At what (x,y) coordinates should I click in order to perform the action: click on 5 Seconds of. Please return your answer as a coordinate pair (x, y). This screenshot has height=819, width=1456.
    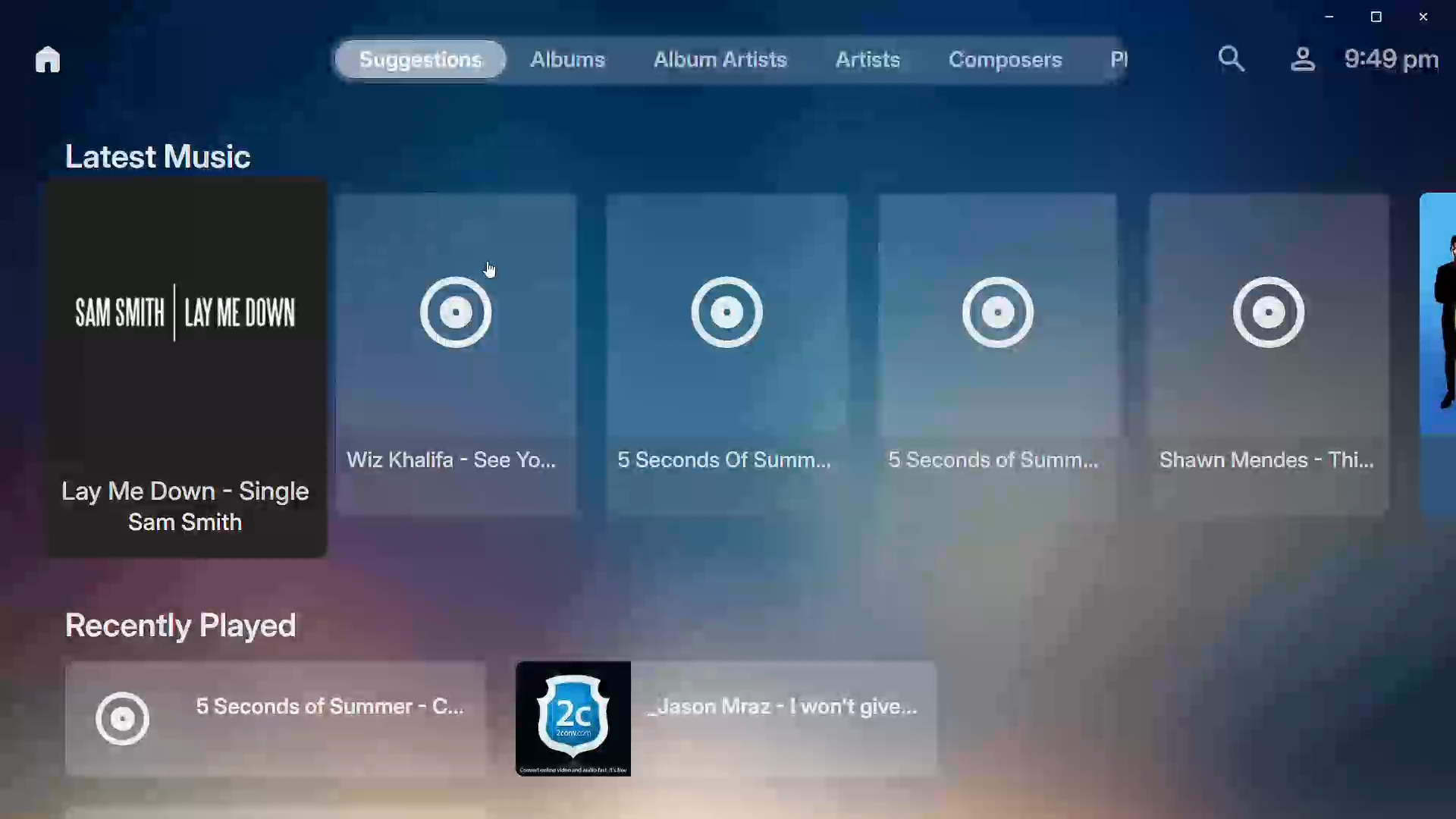
    Looking at the image, I should click on (720, 349).